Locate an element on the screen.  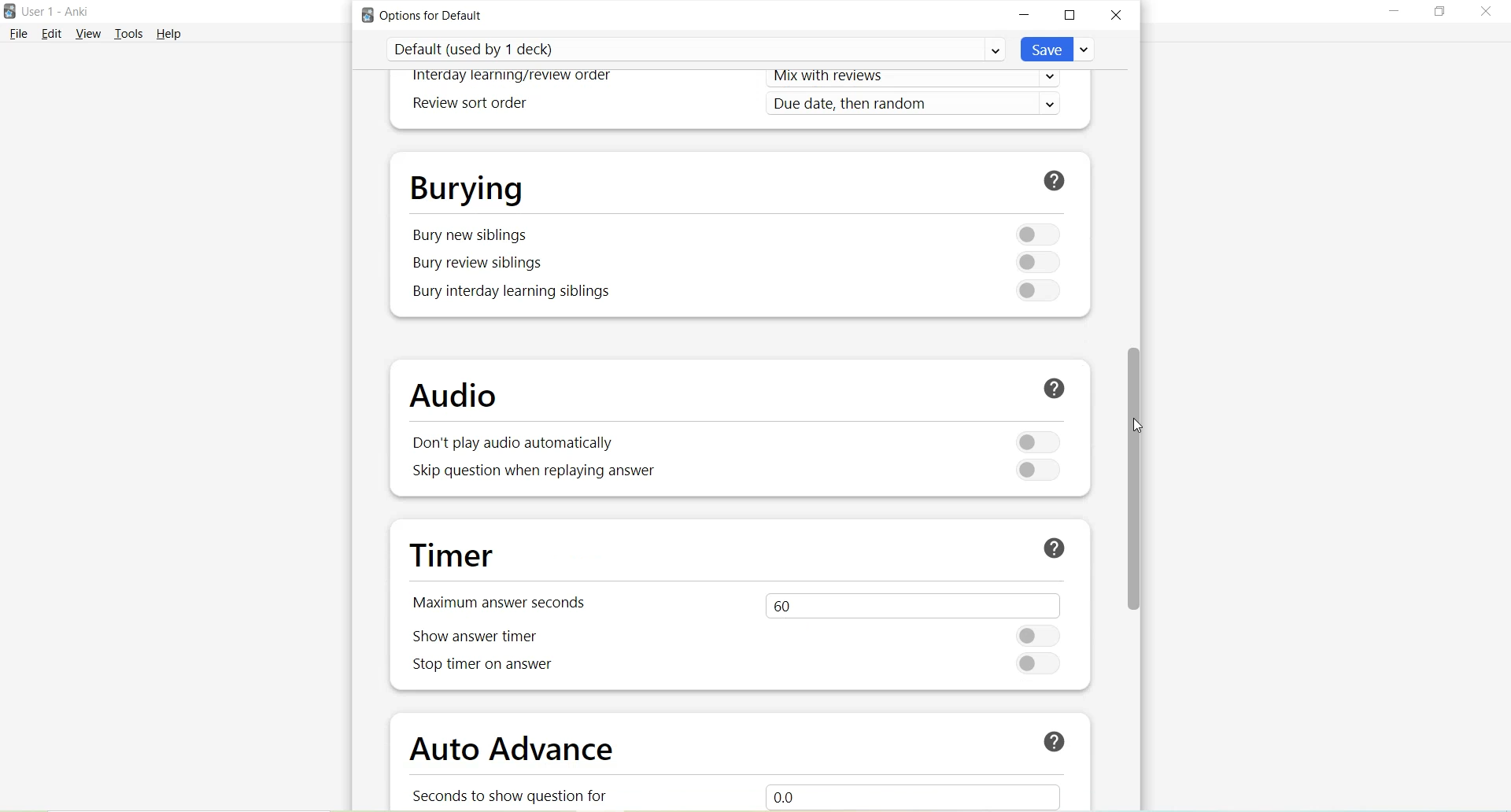
Toggle is located at coordinates (1034, 263).